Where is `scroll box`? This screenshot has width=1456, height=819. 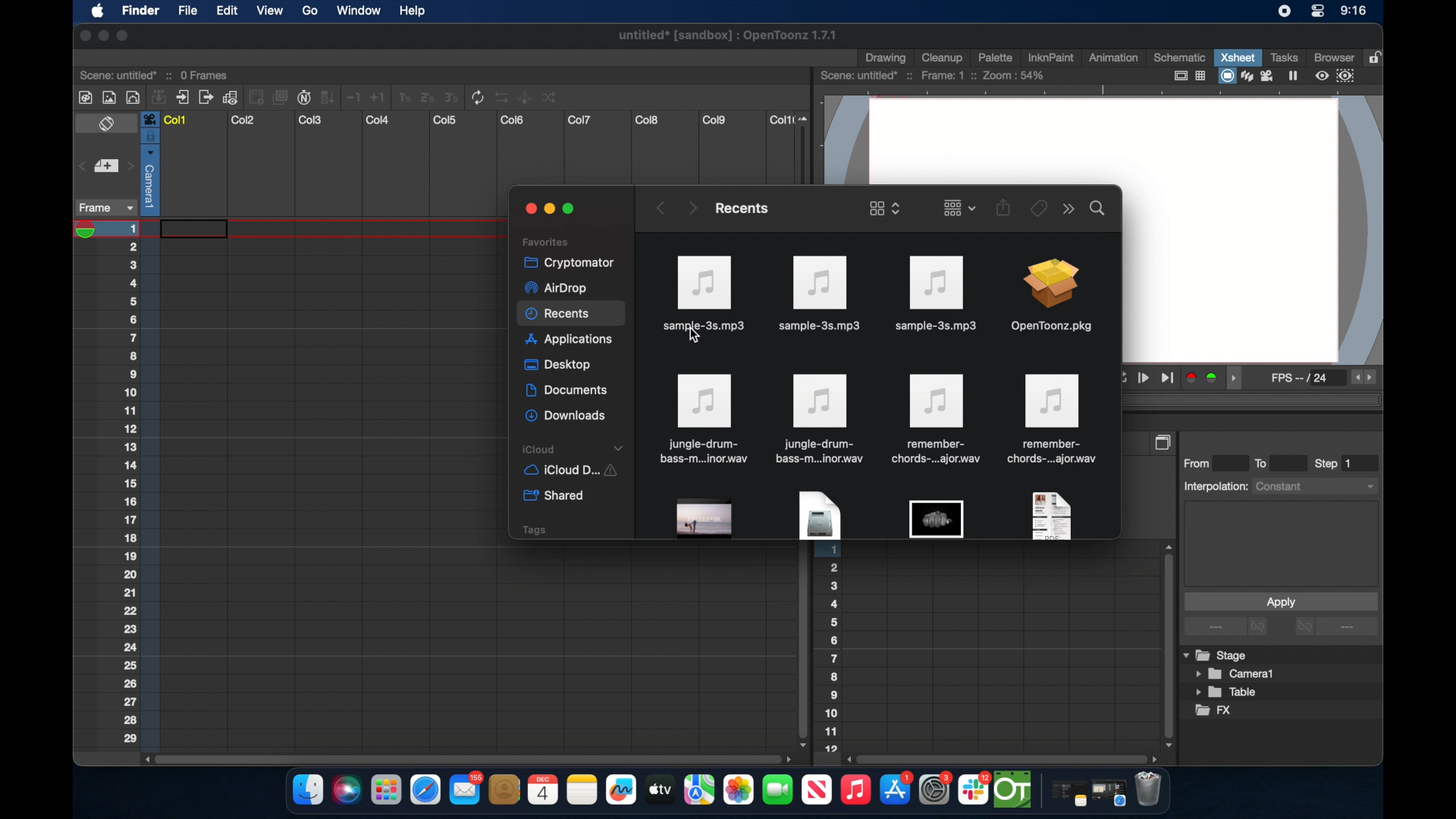 scroll box is located at coordinates (801, 647).